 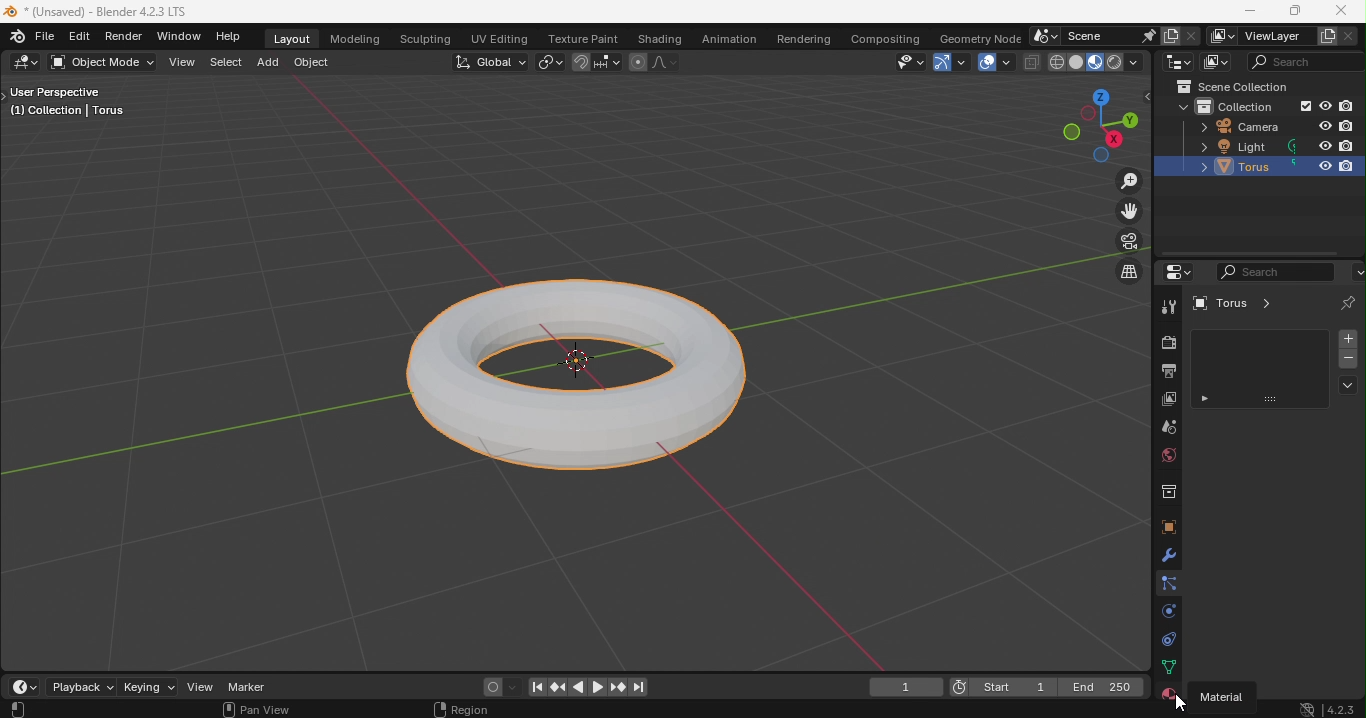 I want to click on Pin scene to workspace, so click(x=1146, y=35).